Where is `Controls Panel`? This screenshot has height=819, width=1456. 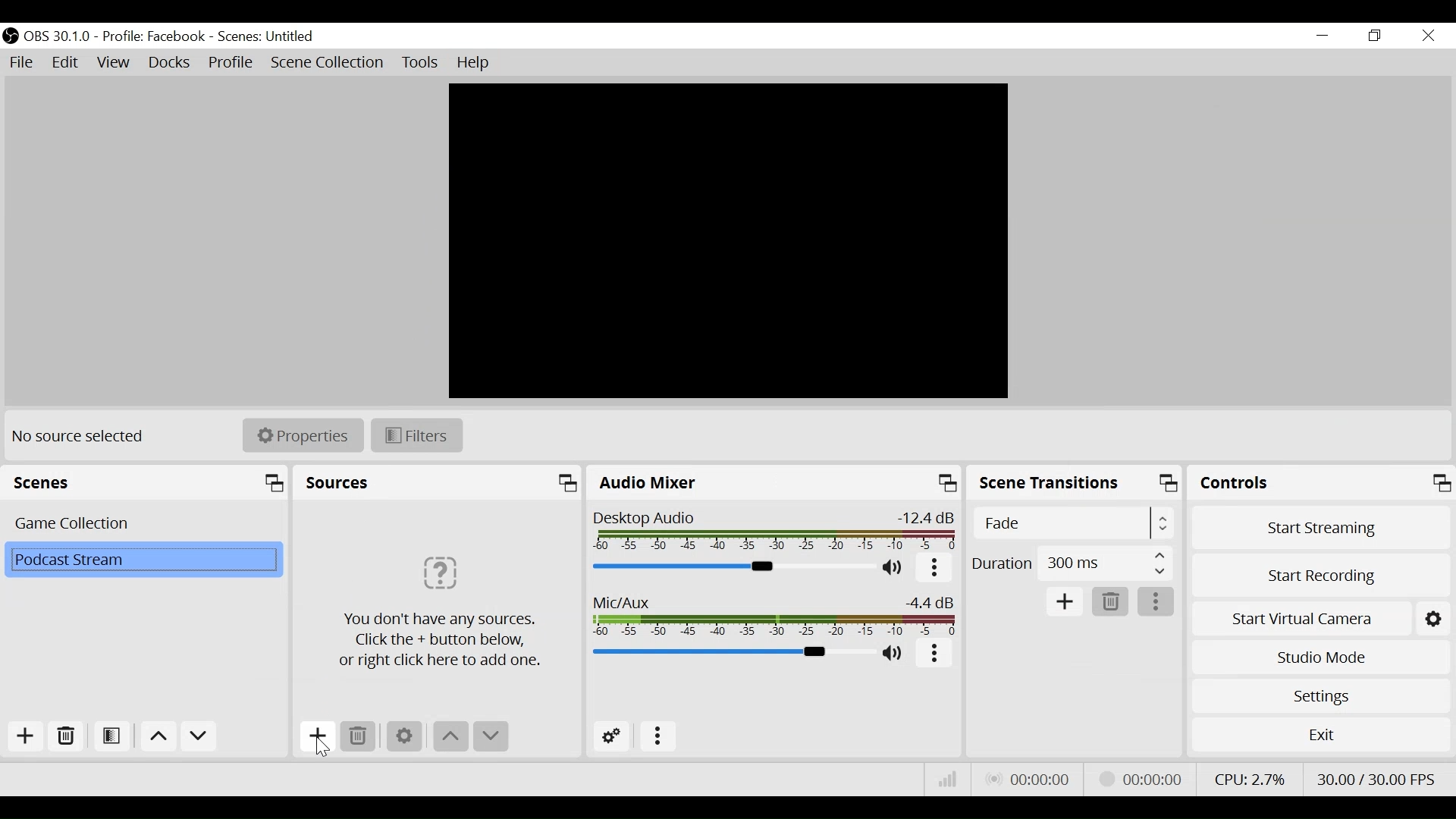
Controls Panel is located at coordinates (1321, 483).